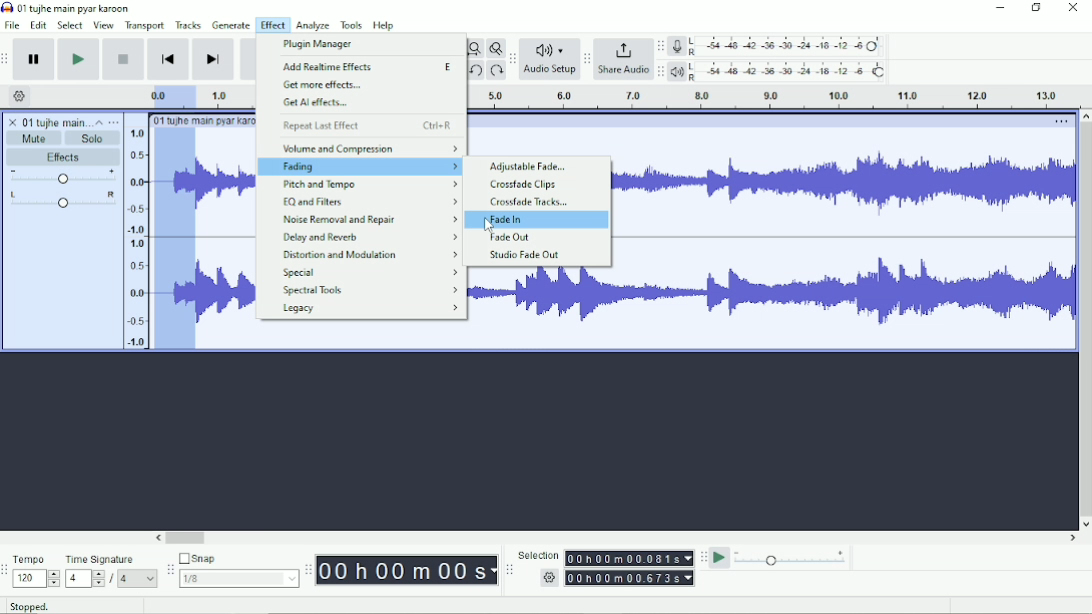 Image resolution: width=1092 pixels, height=614 pixels. I want to click on 00 h 00 m 00.673s, so click(632, 577).